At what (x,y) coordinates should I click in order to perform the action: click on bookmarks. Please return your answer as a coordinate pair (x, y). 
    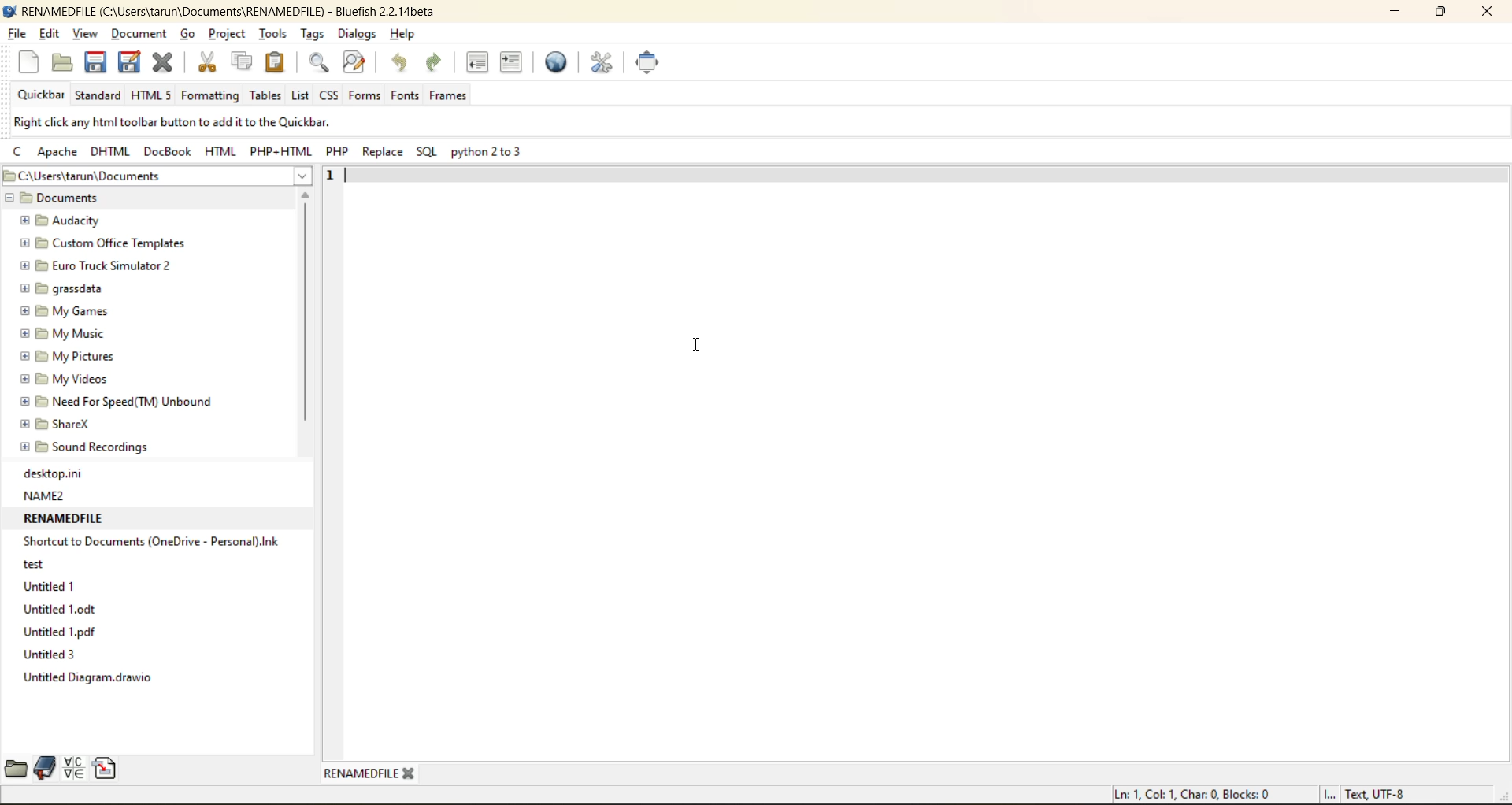
    Looking at the image, I should click on (43, 769).